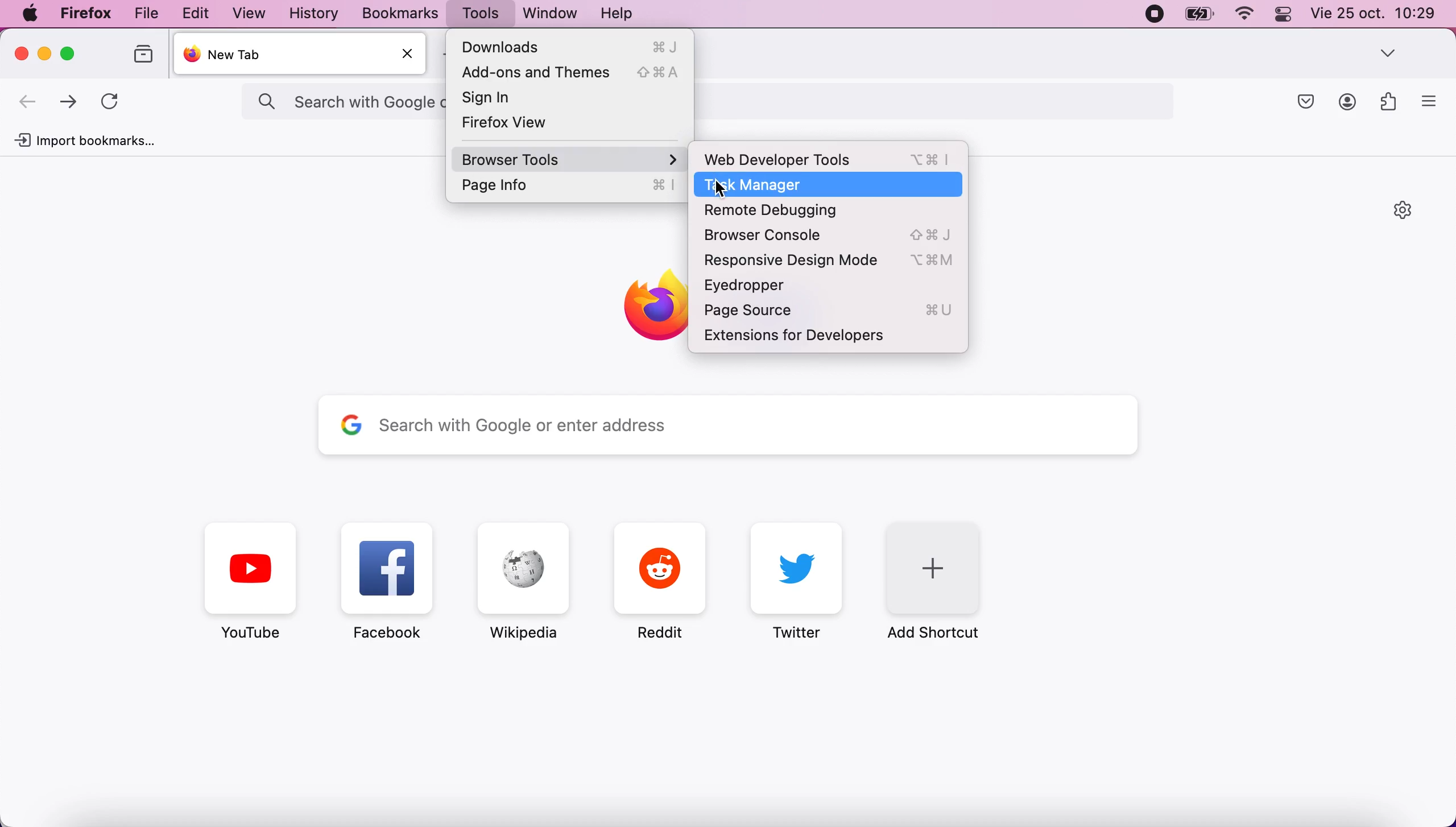 The image size is (1456, 827). I want to click on Toggle, so click(1284, 15).